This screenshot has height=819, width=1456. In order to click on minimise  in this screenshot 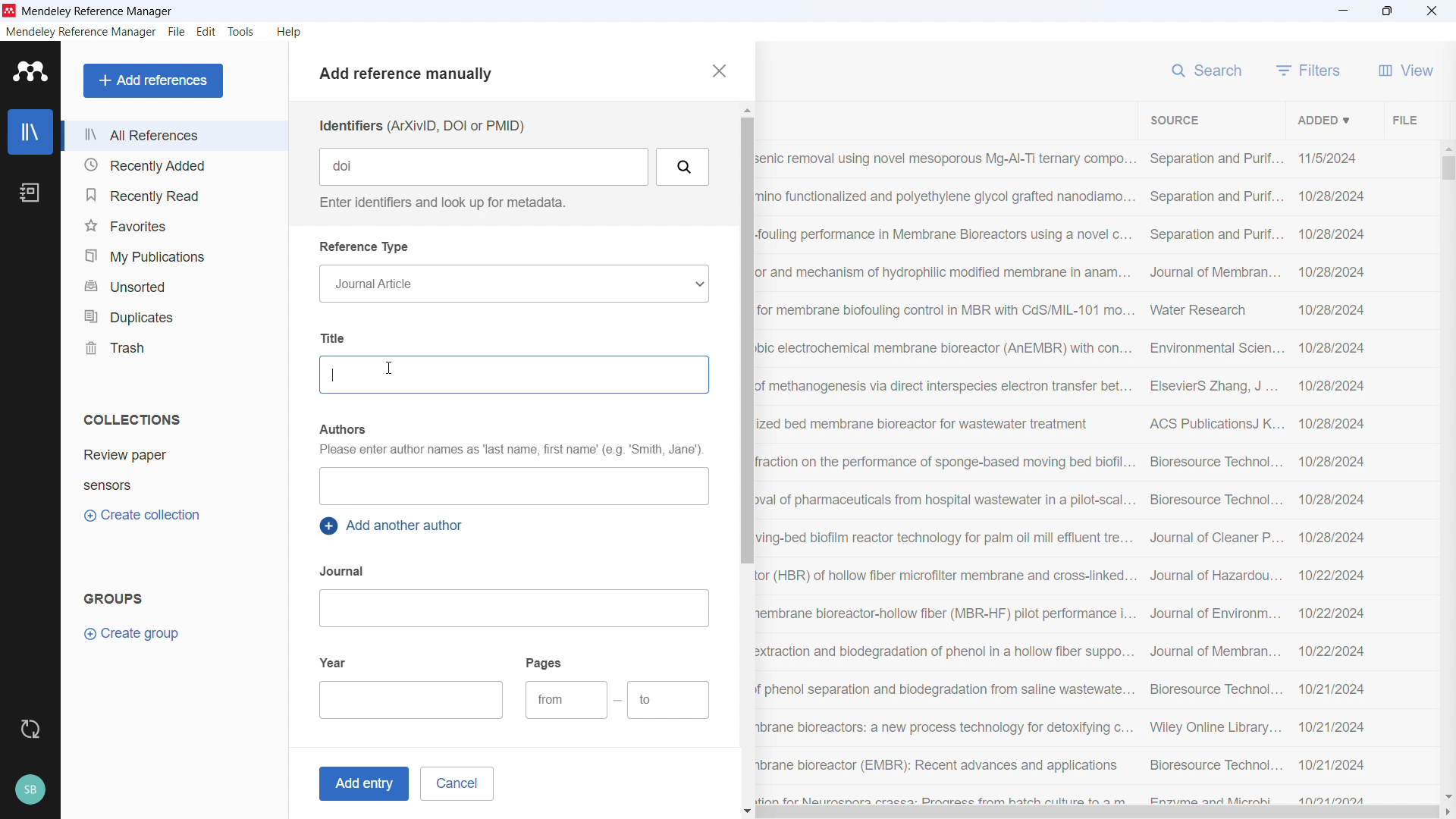, I will do `click(1344, 11)`.